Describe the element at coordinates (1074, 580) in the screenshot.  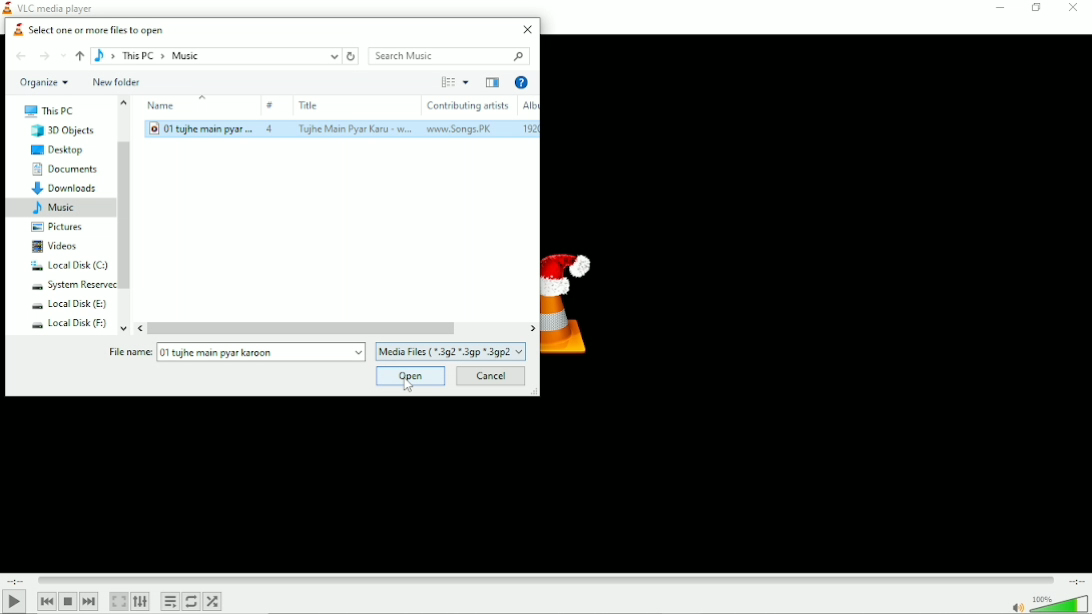
I see `Total duration` at that location.